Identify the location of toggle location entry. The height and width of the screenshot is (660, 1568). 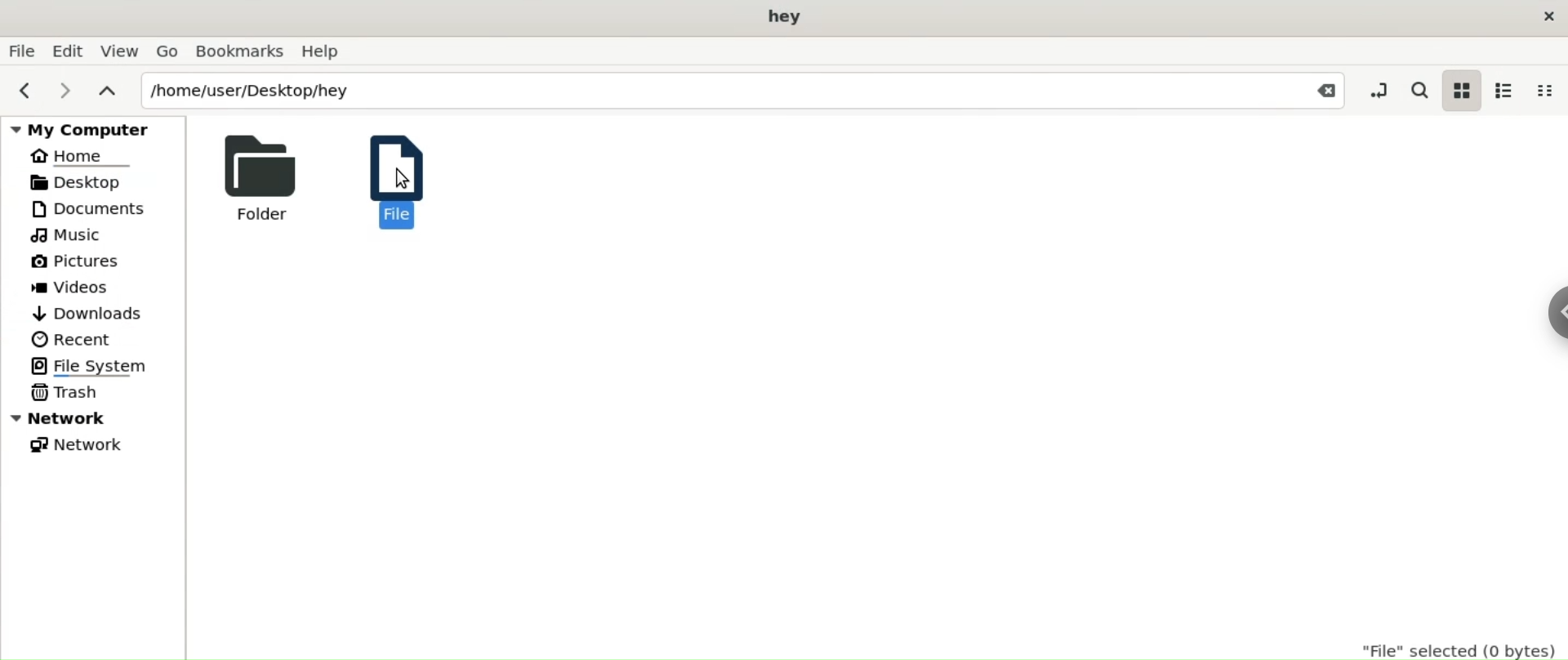
(1378, 90).